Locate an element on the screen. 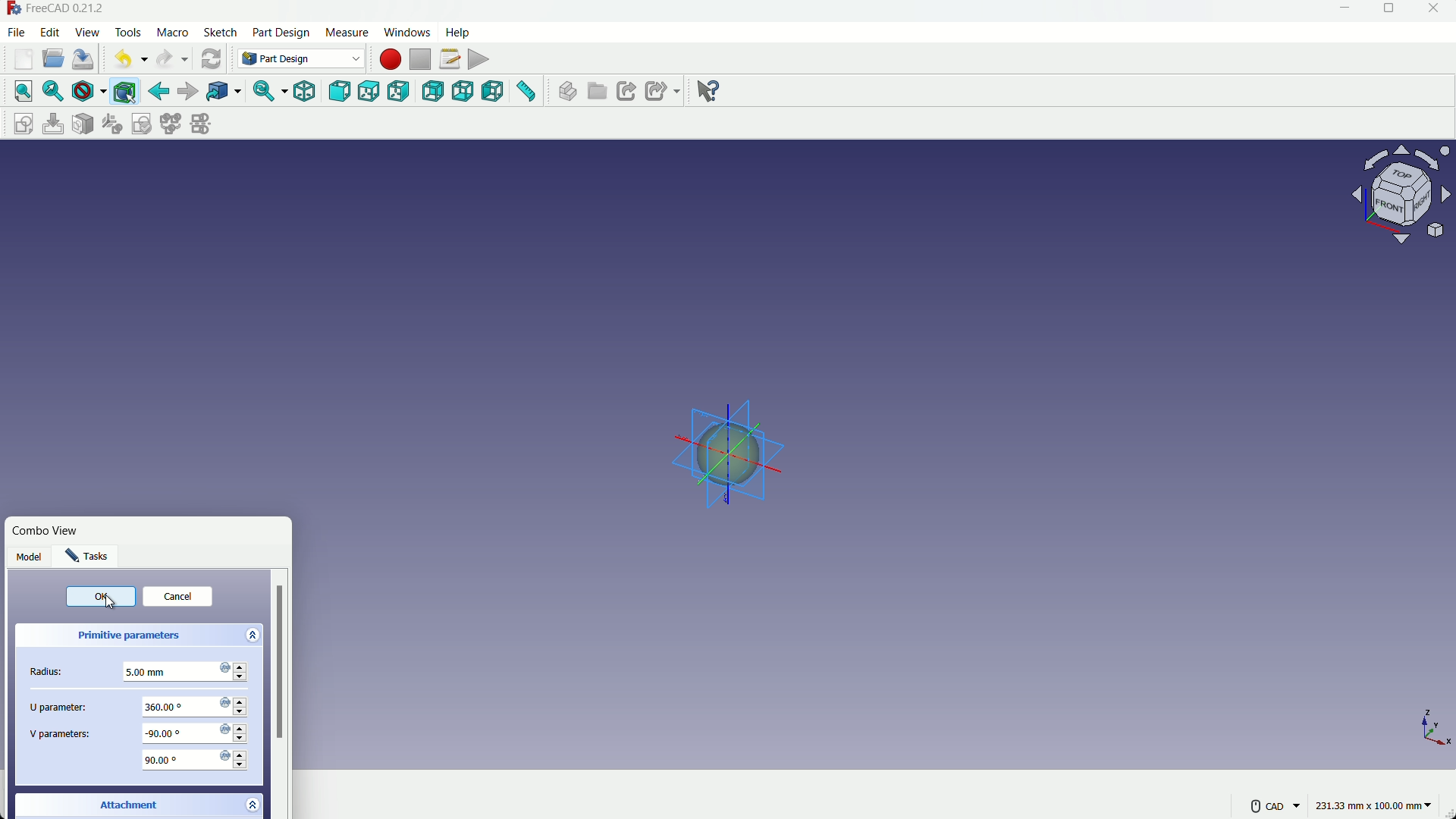 The width and height of the screenshot is (1456, 819). combo view is located at coordinates (52, 534).